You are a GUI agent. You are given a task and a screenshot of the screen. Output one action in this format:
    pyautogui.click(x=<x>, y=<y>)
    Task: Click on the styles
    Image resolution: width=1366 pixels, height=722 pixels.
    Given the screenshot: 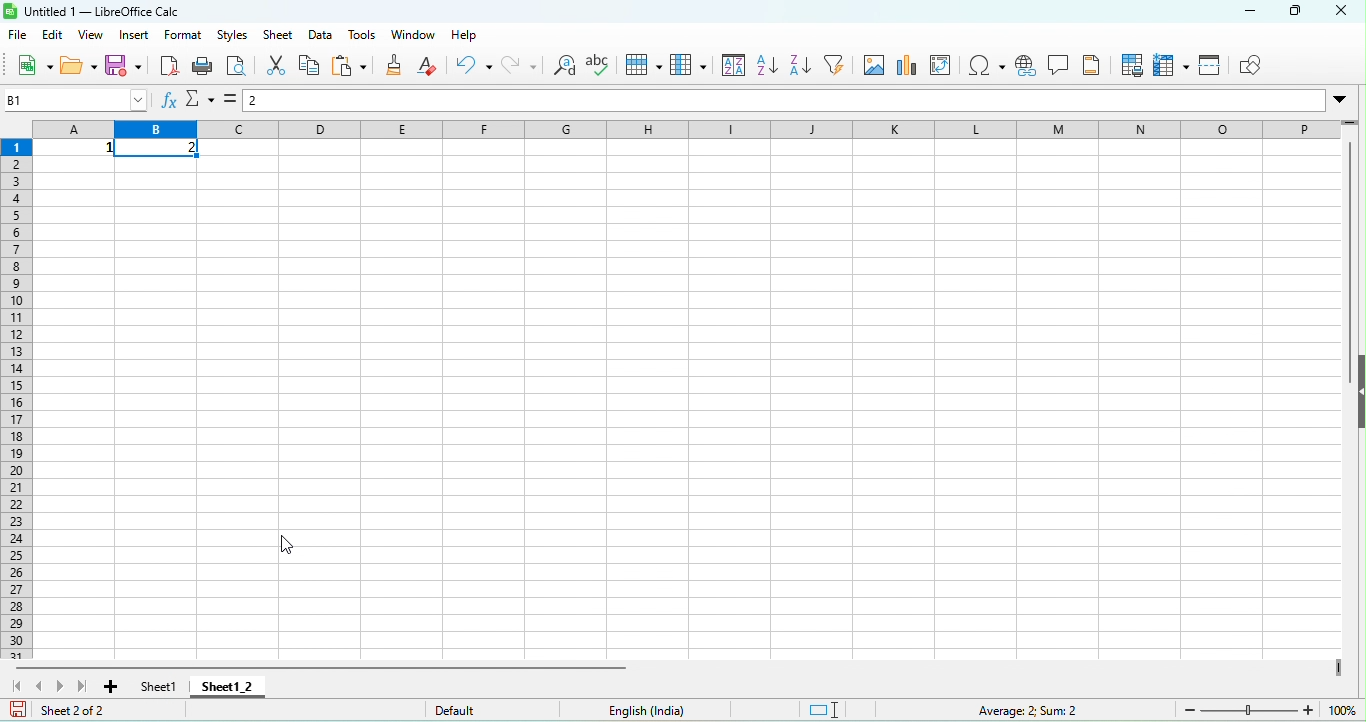 What is the action you would take?
    pyautogui.click(x=229, y=35)
    